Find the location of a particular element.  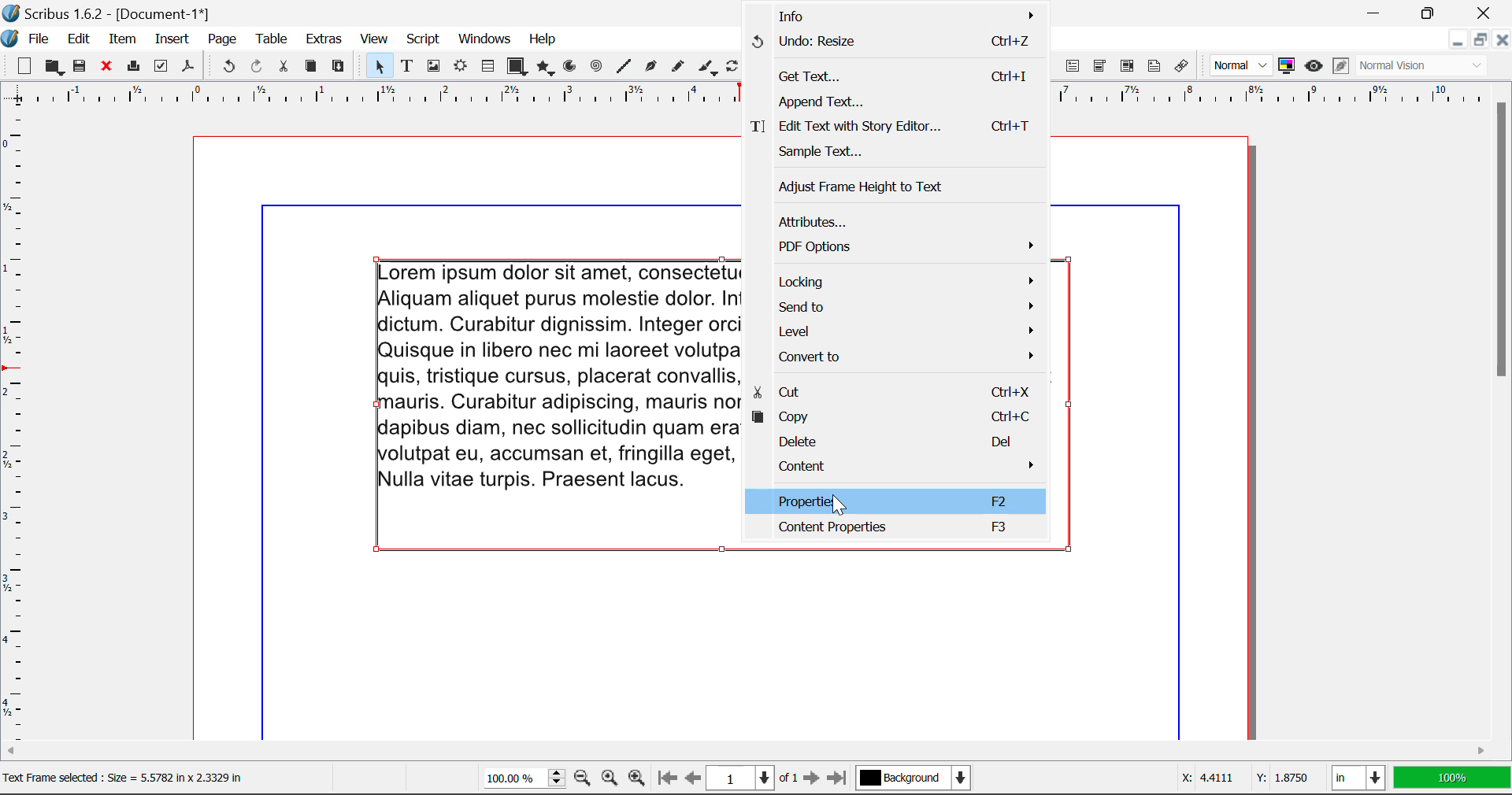

Preview Mode is located at coordinates (1314, 66).